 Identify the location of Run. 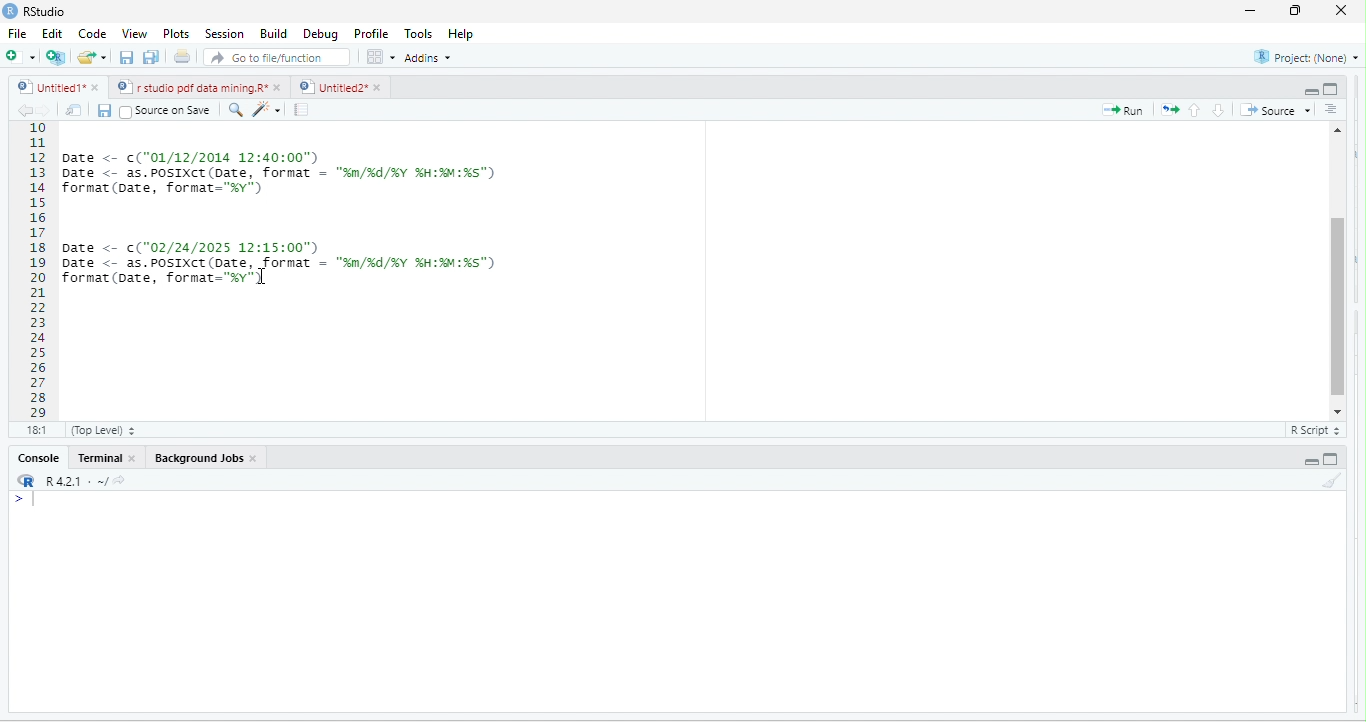
(1127, 111).